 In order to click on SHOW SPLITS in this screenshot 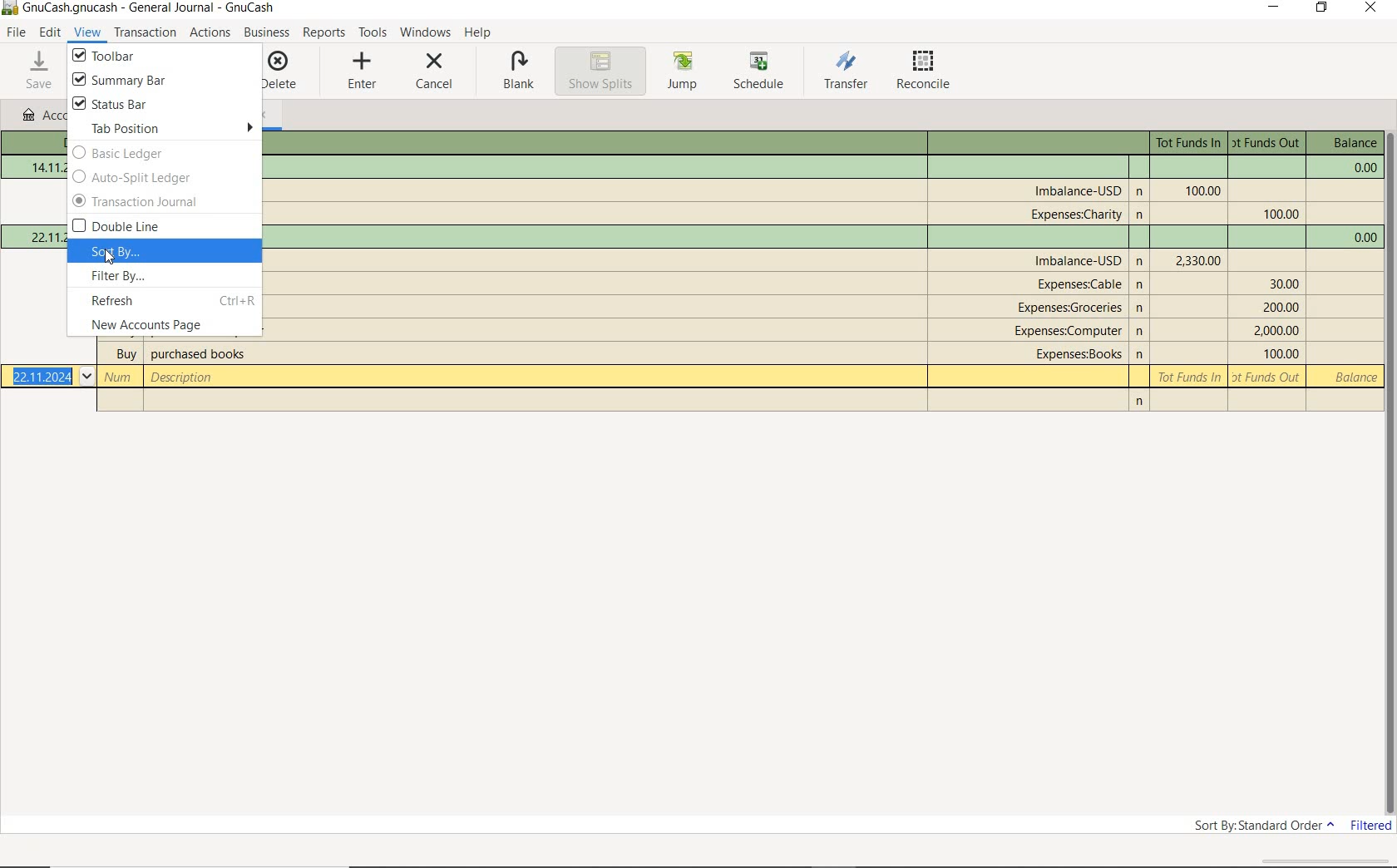, I will do `click(601, 71)`.